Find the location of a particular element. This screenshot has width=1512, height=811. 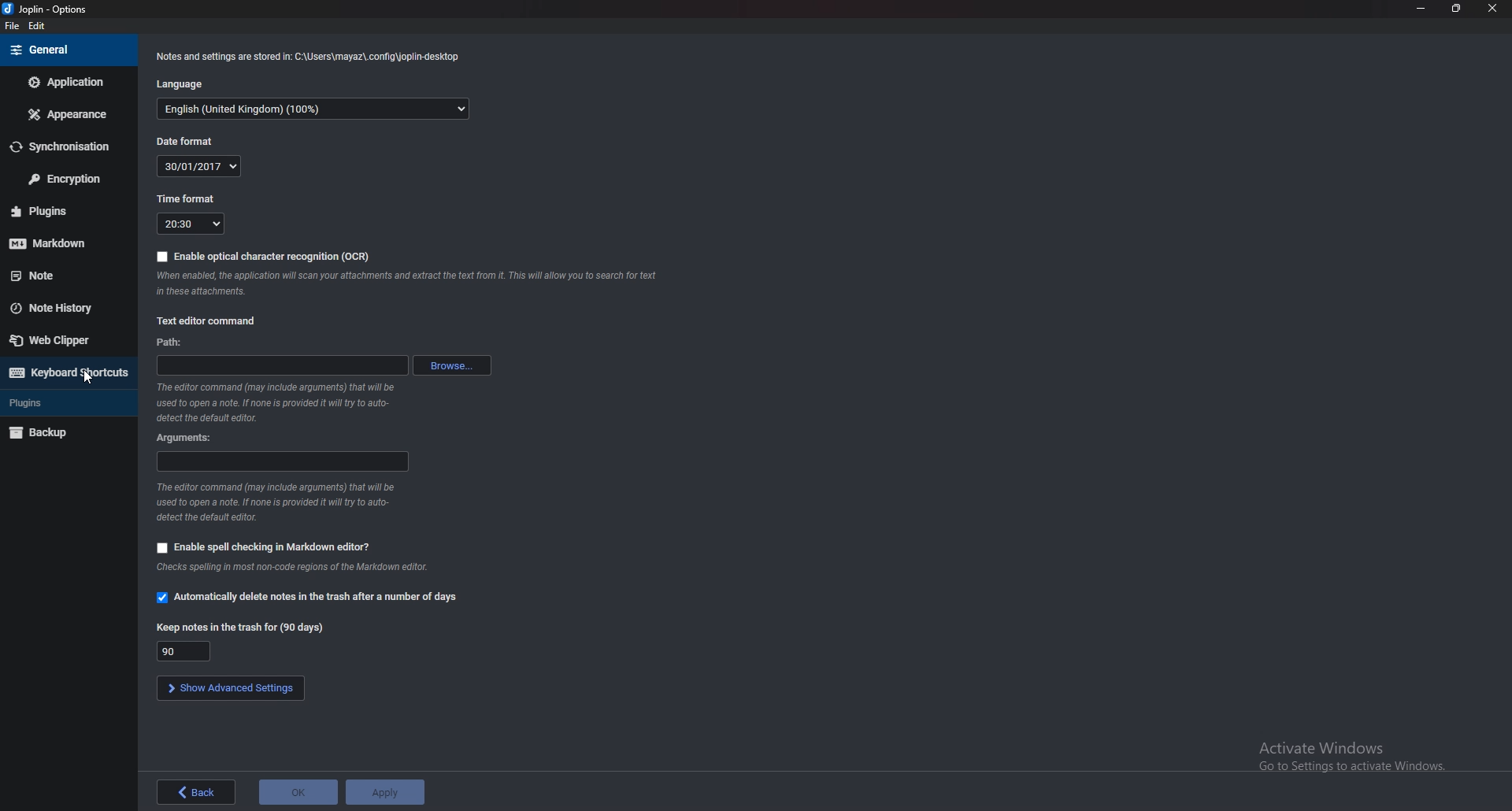

Info is located at coordinates (306, 57).